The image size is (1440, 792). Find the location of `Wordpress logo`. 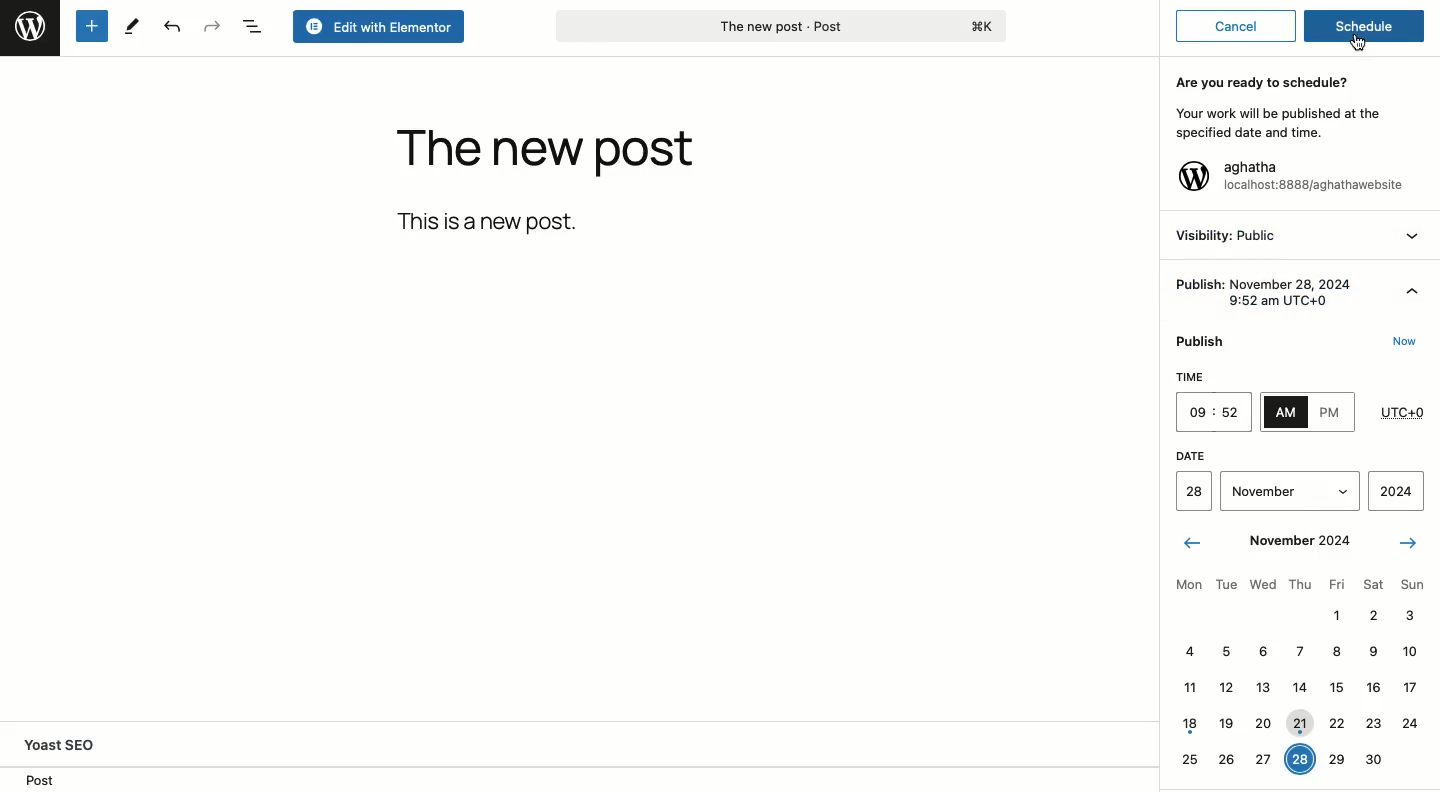

Wordpress logo is located at coordinates (29, 26).